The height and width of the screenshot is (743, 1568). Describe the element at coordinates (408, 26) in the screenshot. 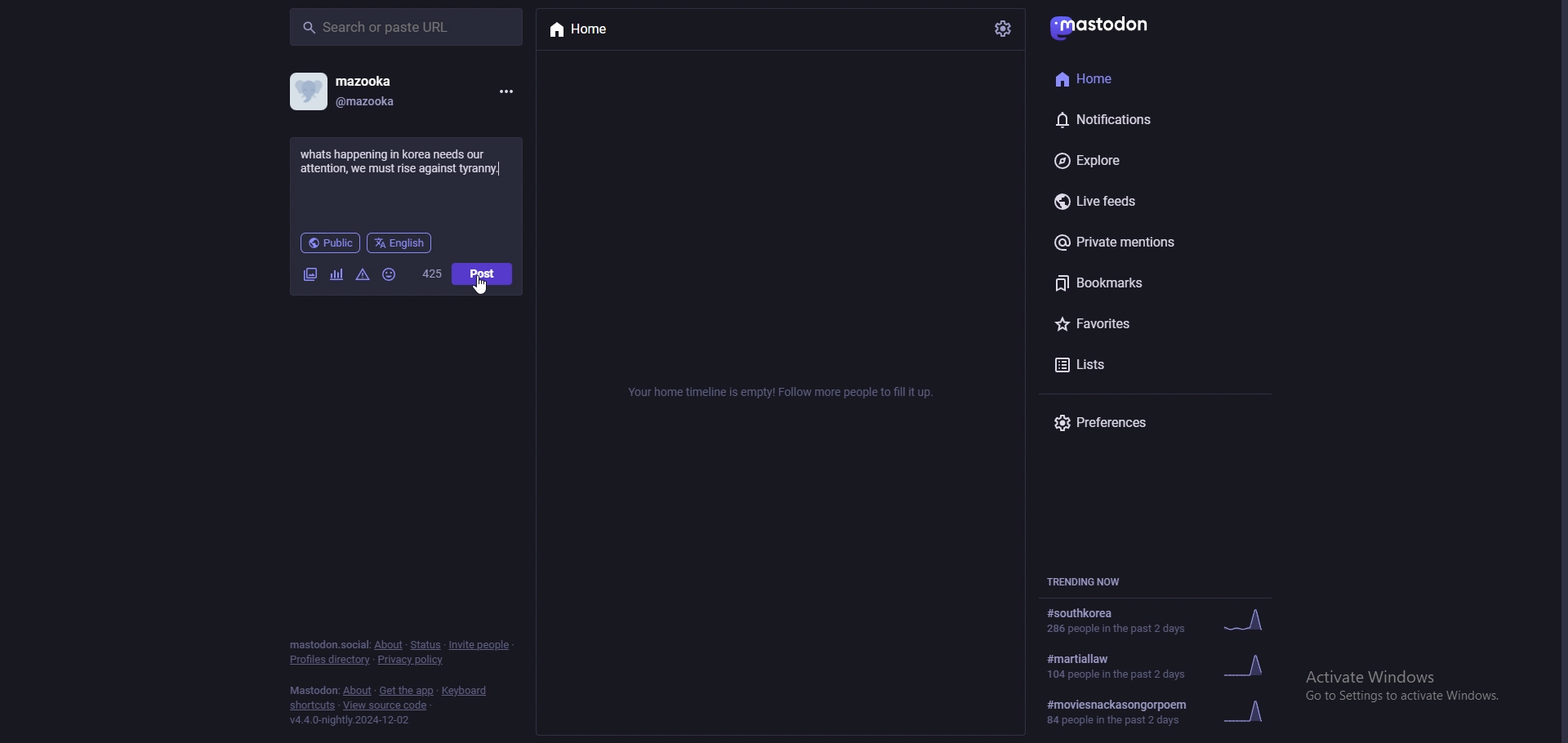

I see `search bar` at that location.